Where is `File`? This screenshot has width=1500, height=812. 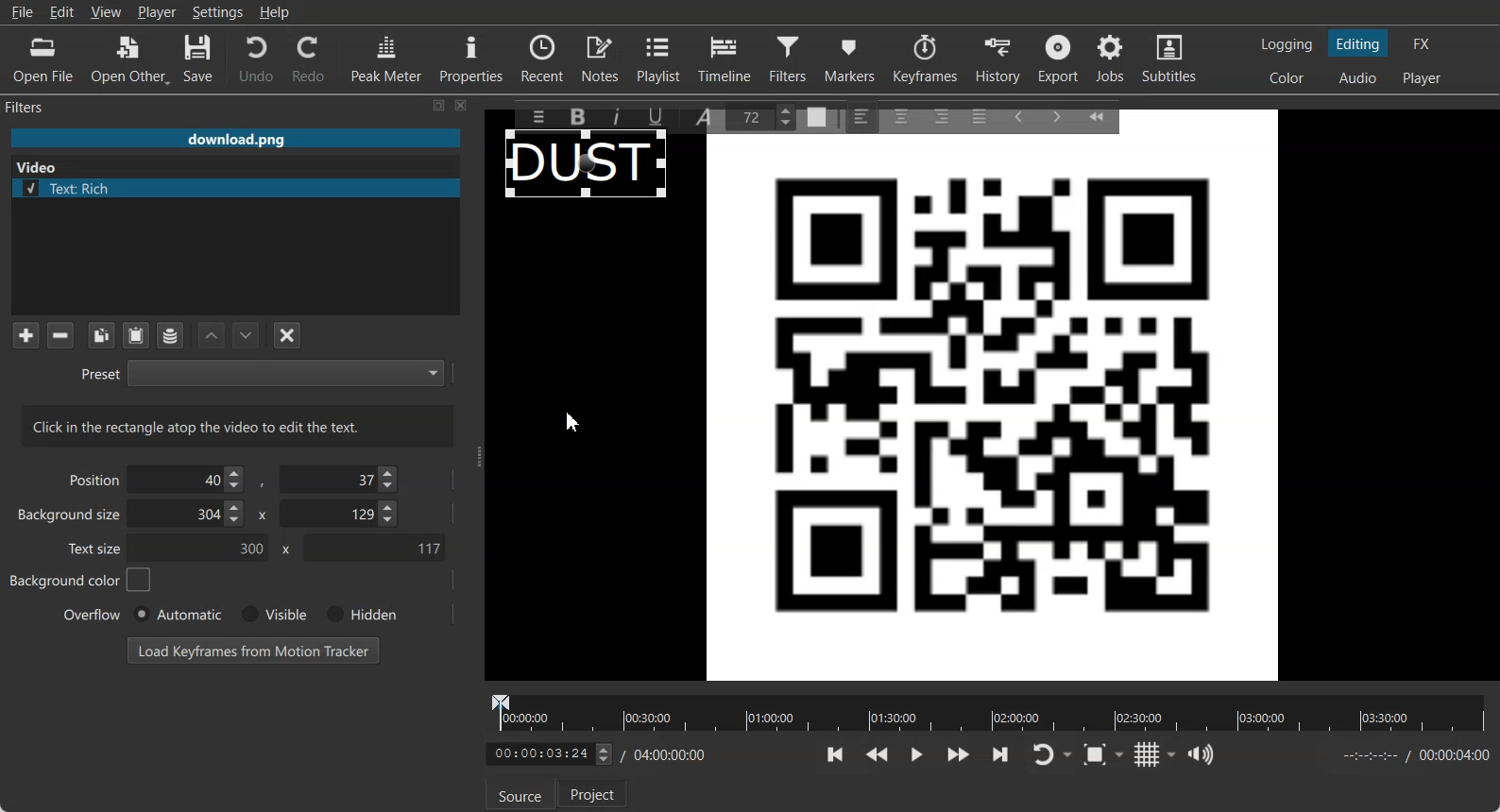
File is located at coordinates (22, 12).